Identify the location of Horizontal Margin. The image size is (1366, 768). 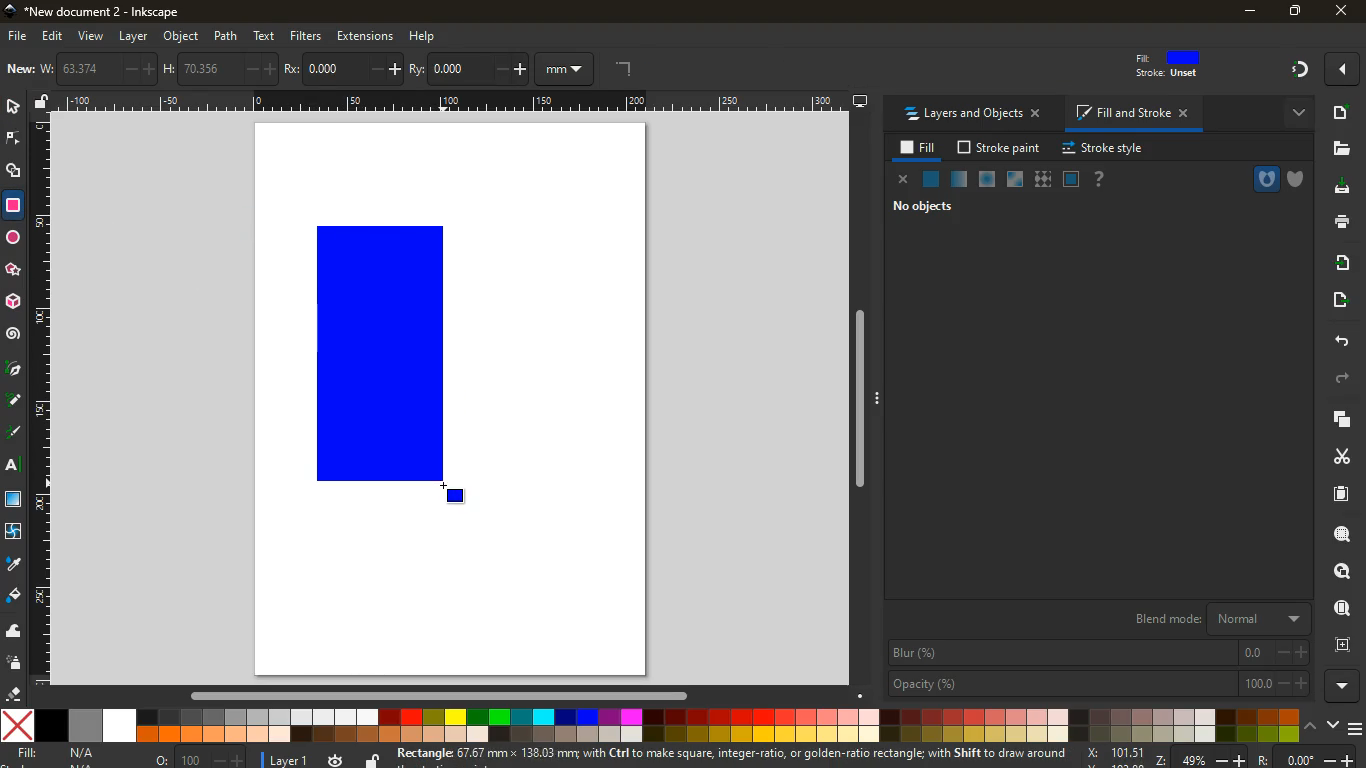
(39, 400).